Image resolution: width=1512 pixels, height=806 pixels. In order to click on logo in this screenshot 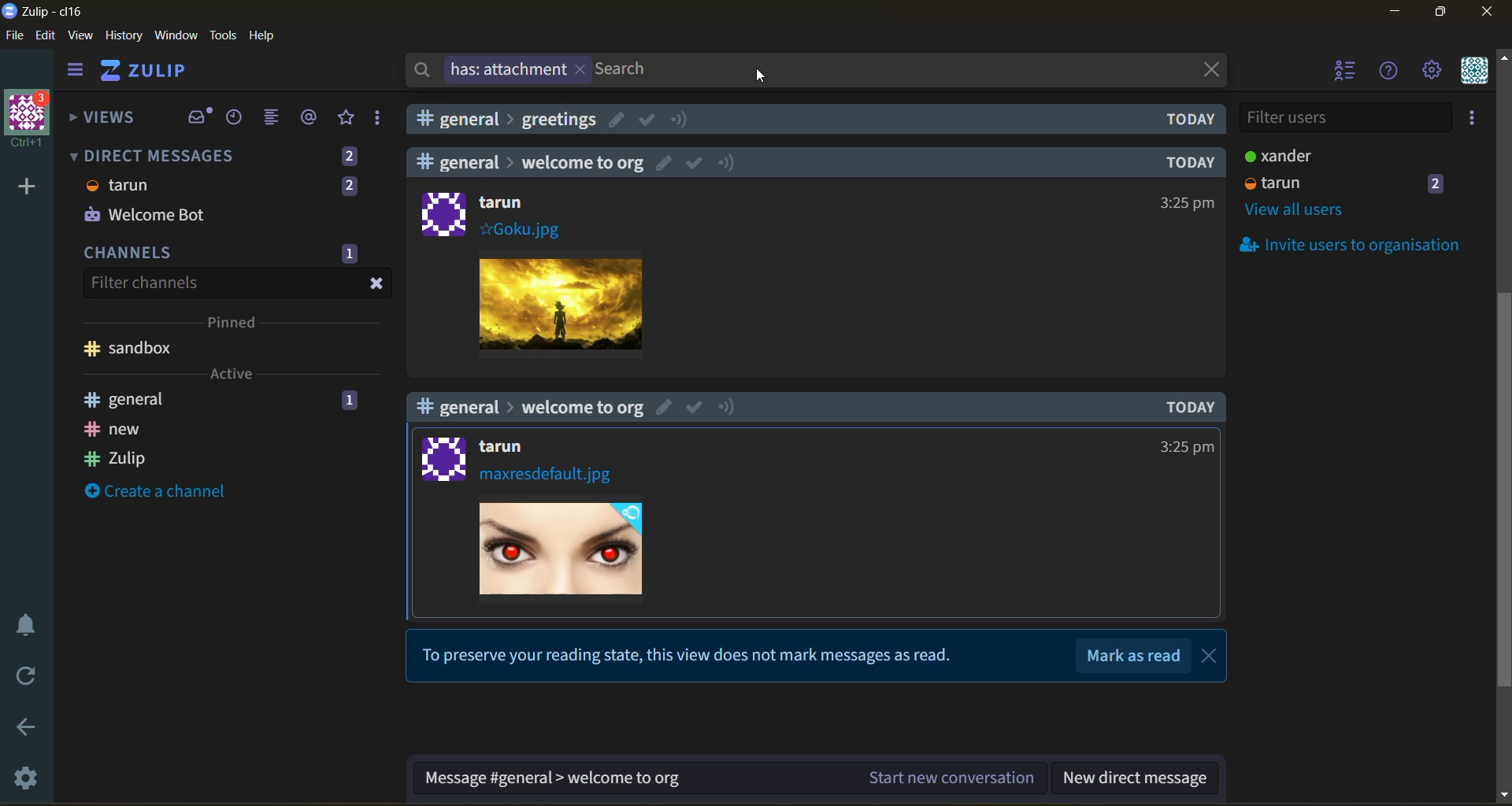, I will do `click(443, 213)`.